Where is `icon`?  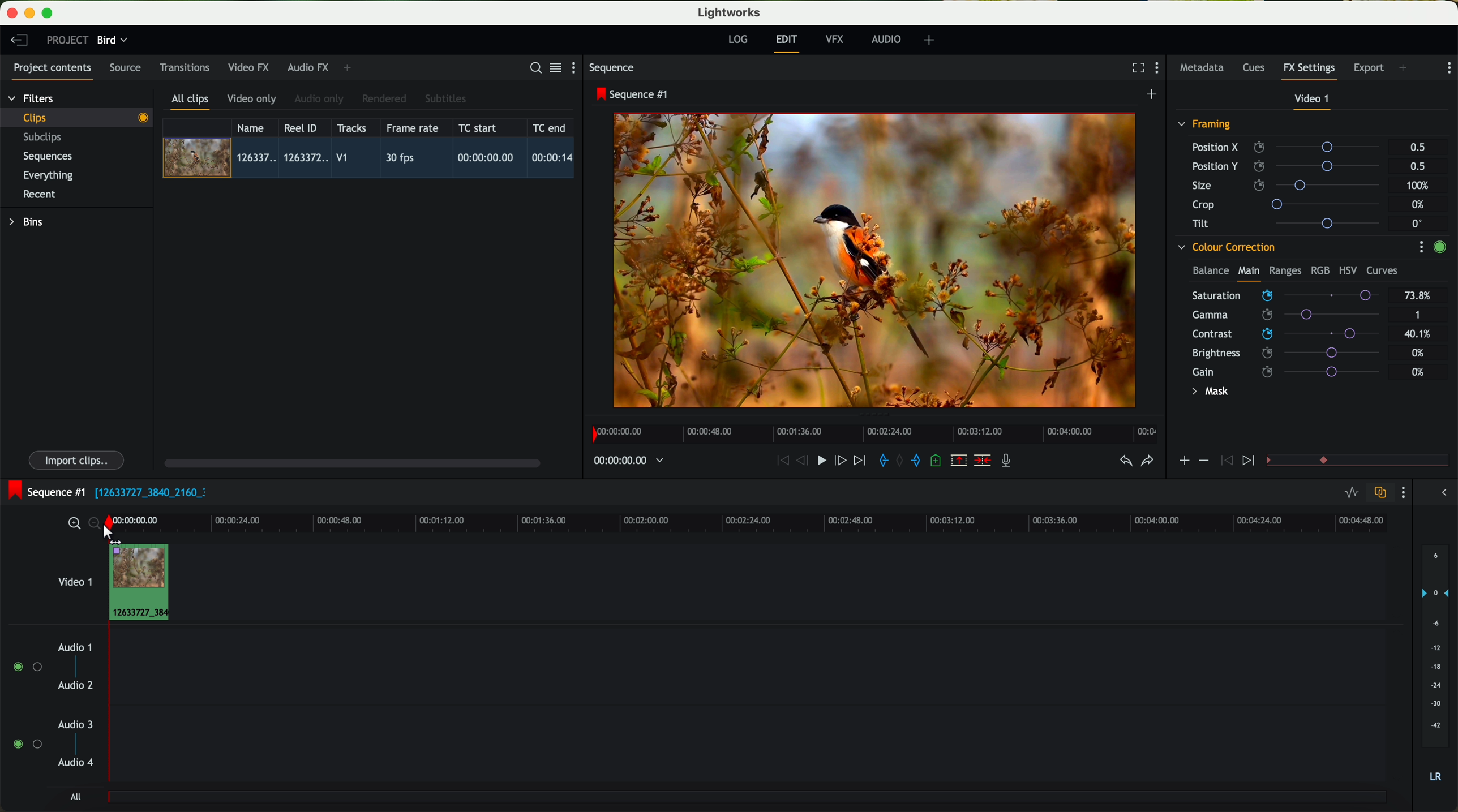 icon is located at coordinates (1225, 461).